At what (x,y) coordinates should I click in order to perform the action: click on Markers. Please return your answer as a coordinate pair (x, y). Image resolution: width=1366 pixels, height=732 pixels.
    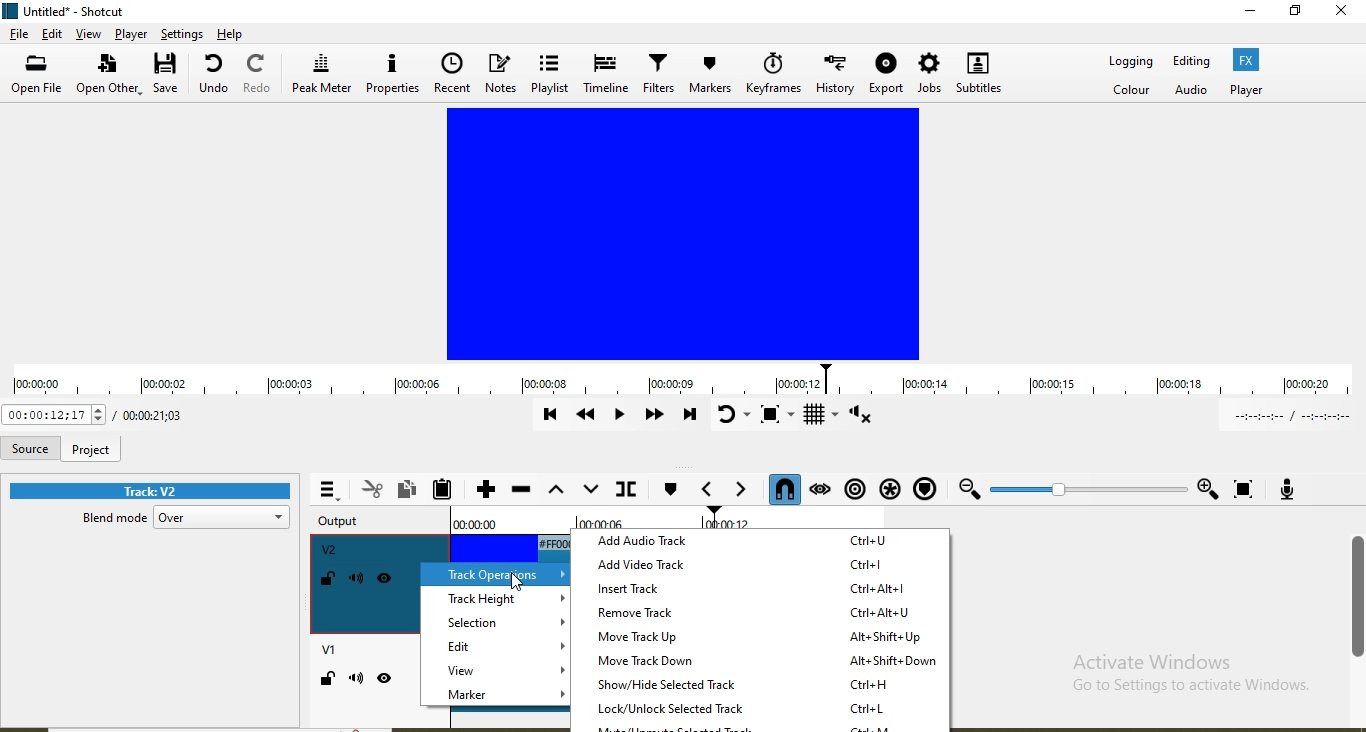
    Looking at the image, I should click on (712, 72).